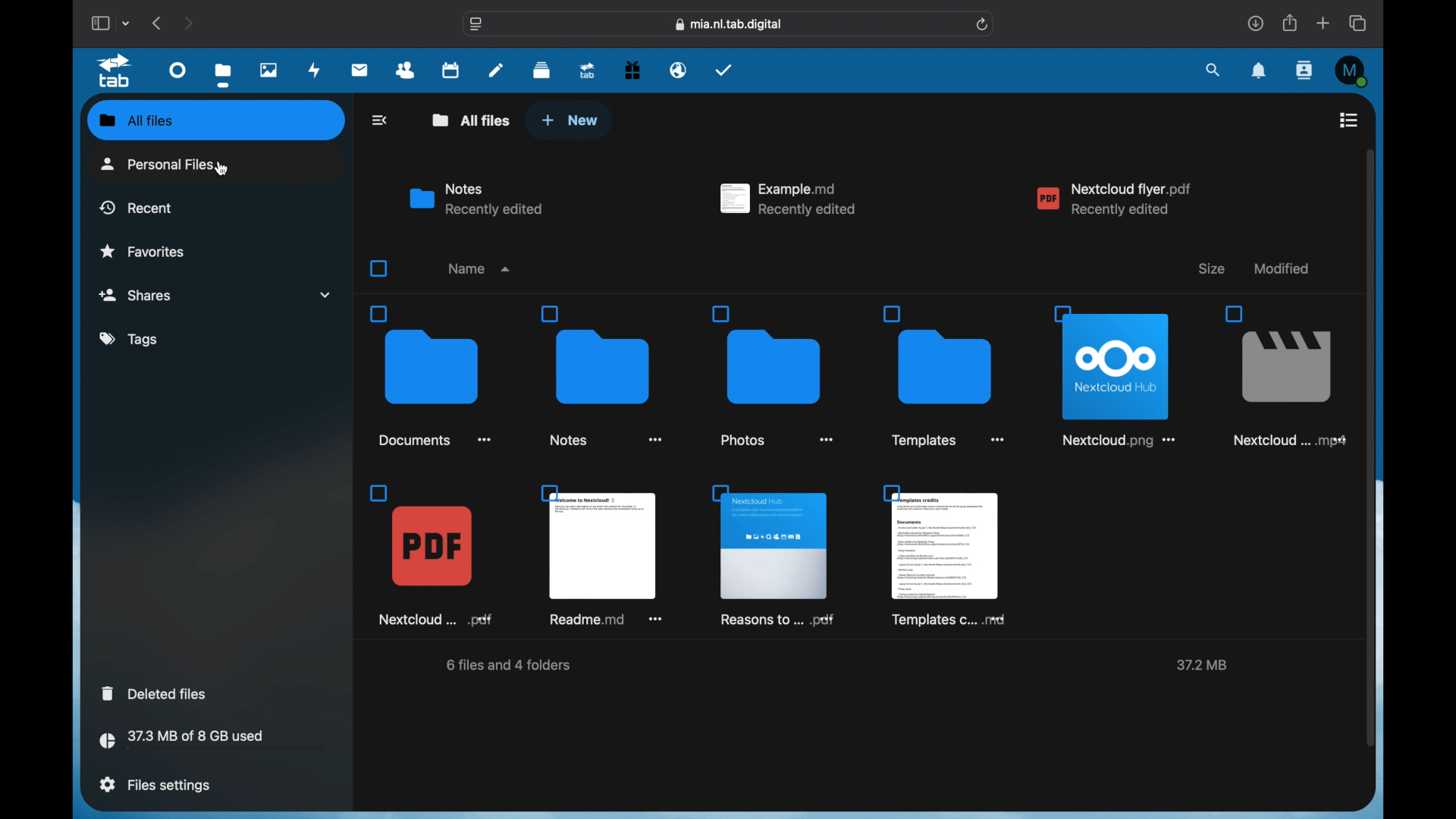 The width and height of the screenshot is (1456, 819). What do you see at coordinates (450, 69) in the screenshot?
I see `calendar` at bounding box center [450, 69].